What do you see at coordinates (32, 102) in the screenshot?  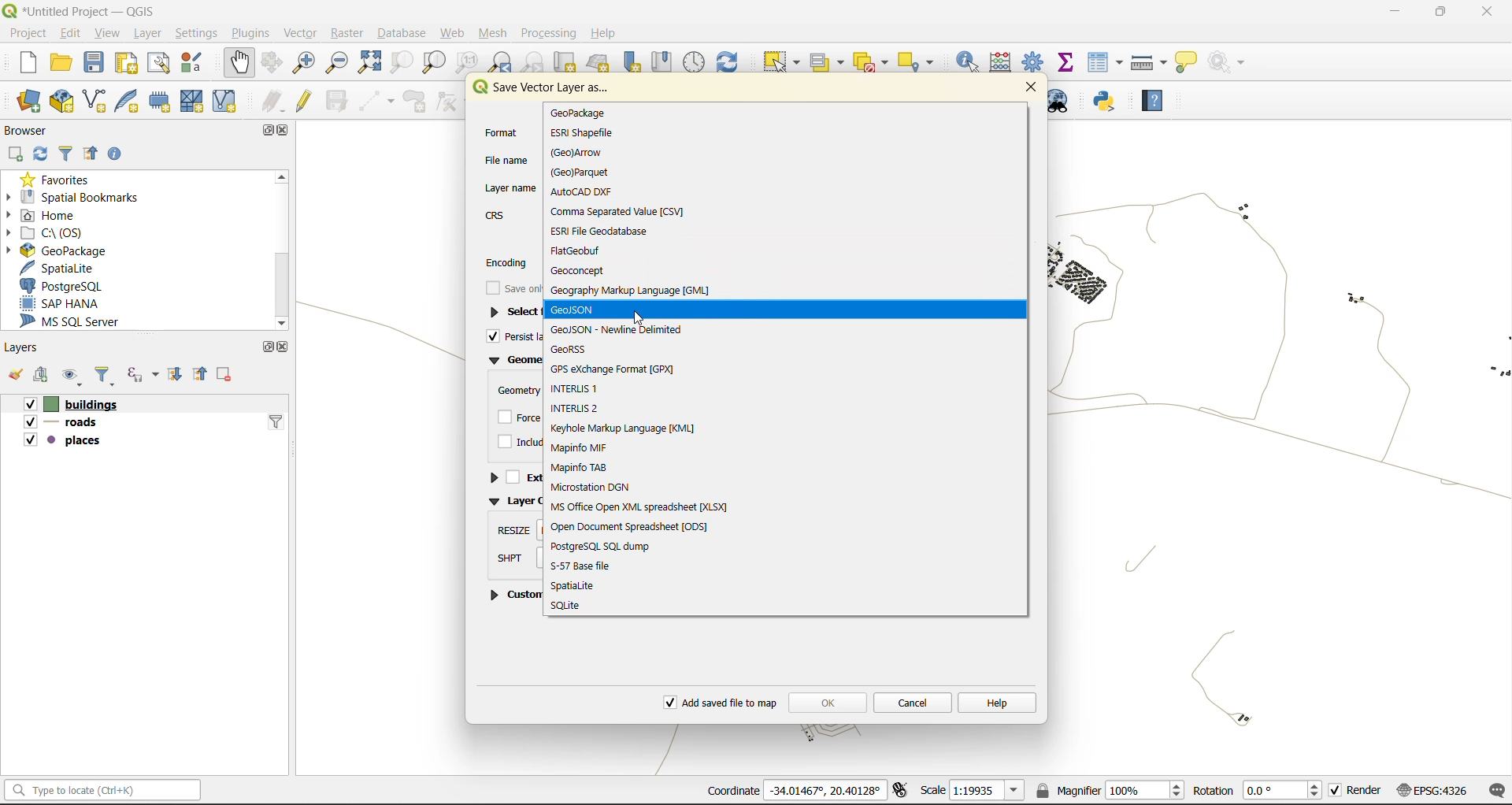 I see `open data source manager` at bounding box center [32, 102].